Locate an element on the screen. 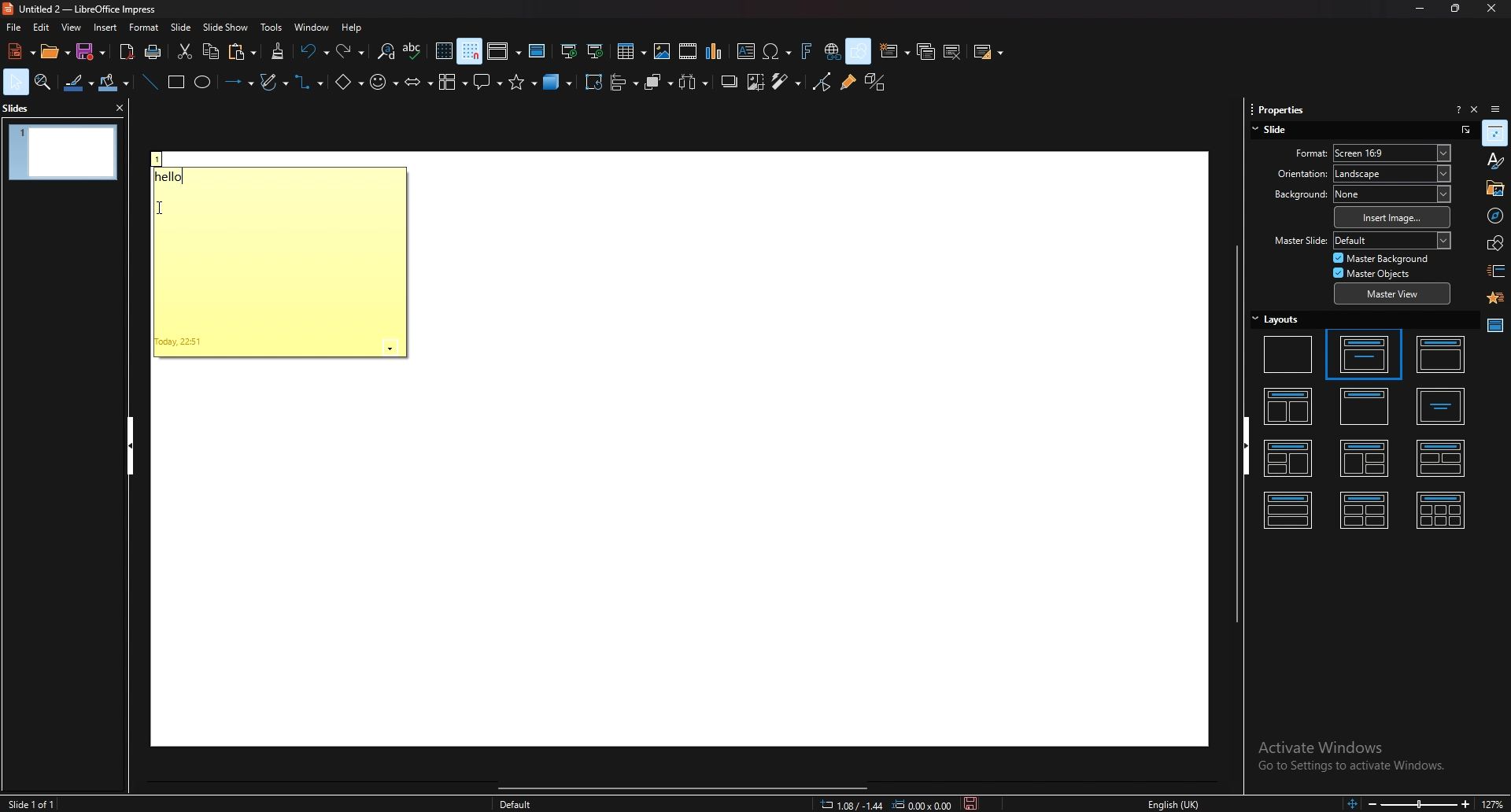 The height and width of the screenshot is (812, 1511). help is located at coordinates (353, 28).